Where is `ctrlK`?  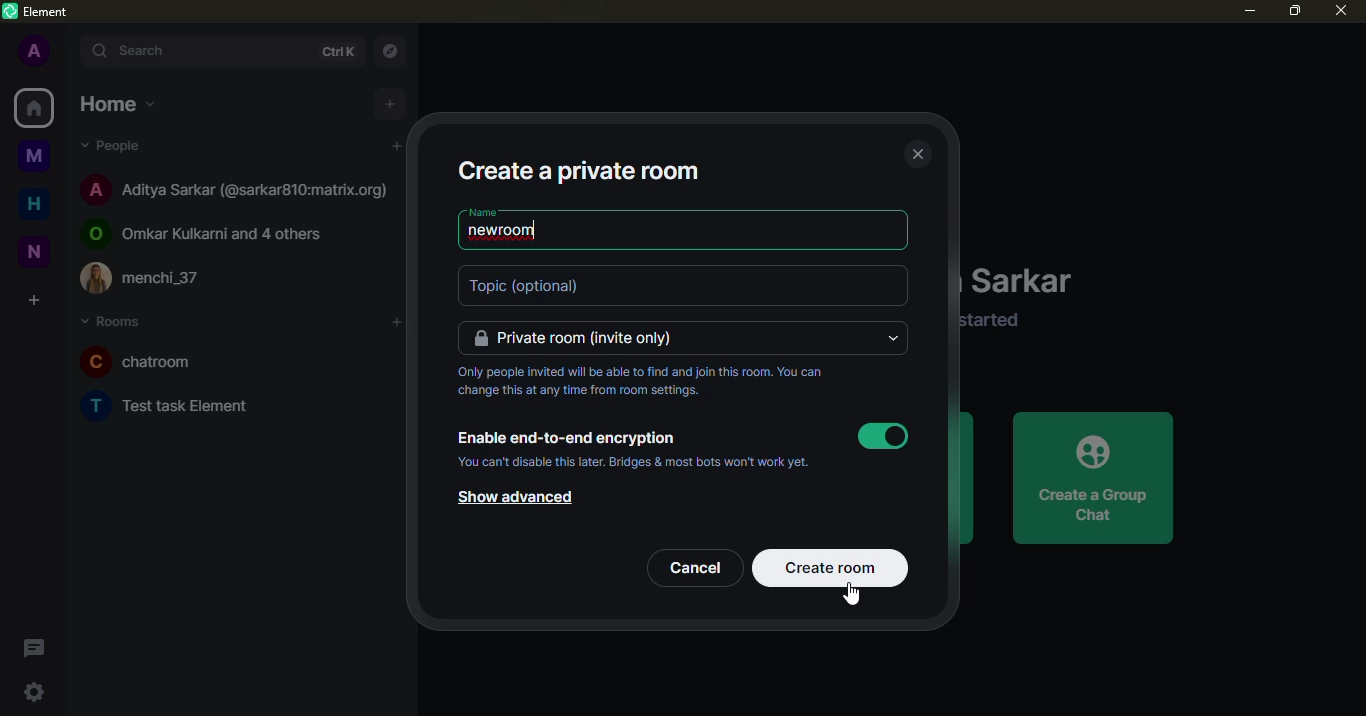 ctrlK is located at coordinates (337, 52).